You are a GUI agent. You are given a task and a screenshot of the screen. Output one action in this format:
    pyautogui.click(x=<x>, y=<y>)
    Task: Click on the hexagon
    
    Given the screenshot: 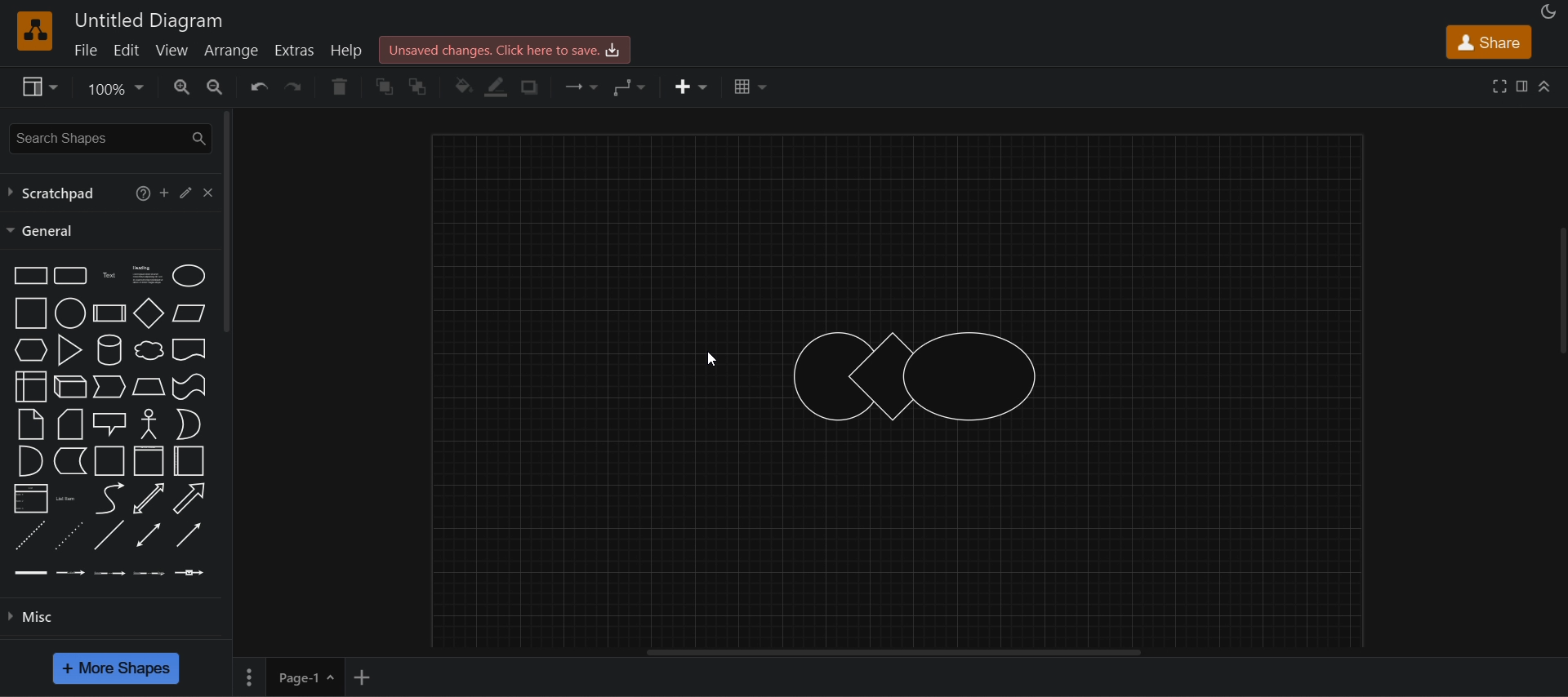 What is the action you would take?
    pyautogui.click(x=29, y=349)
    